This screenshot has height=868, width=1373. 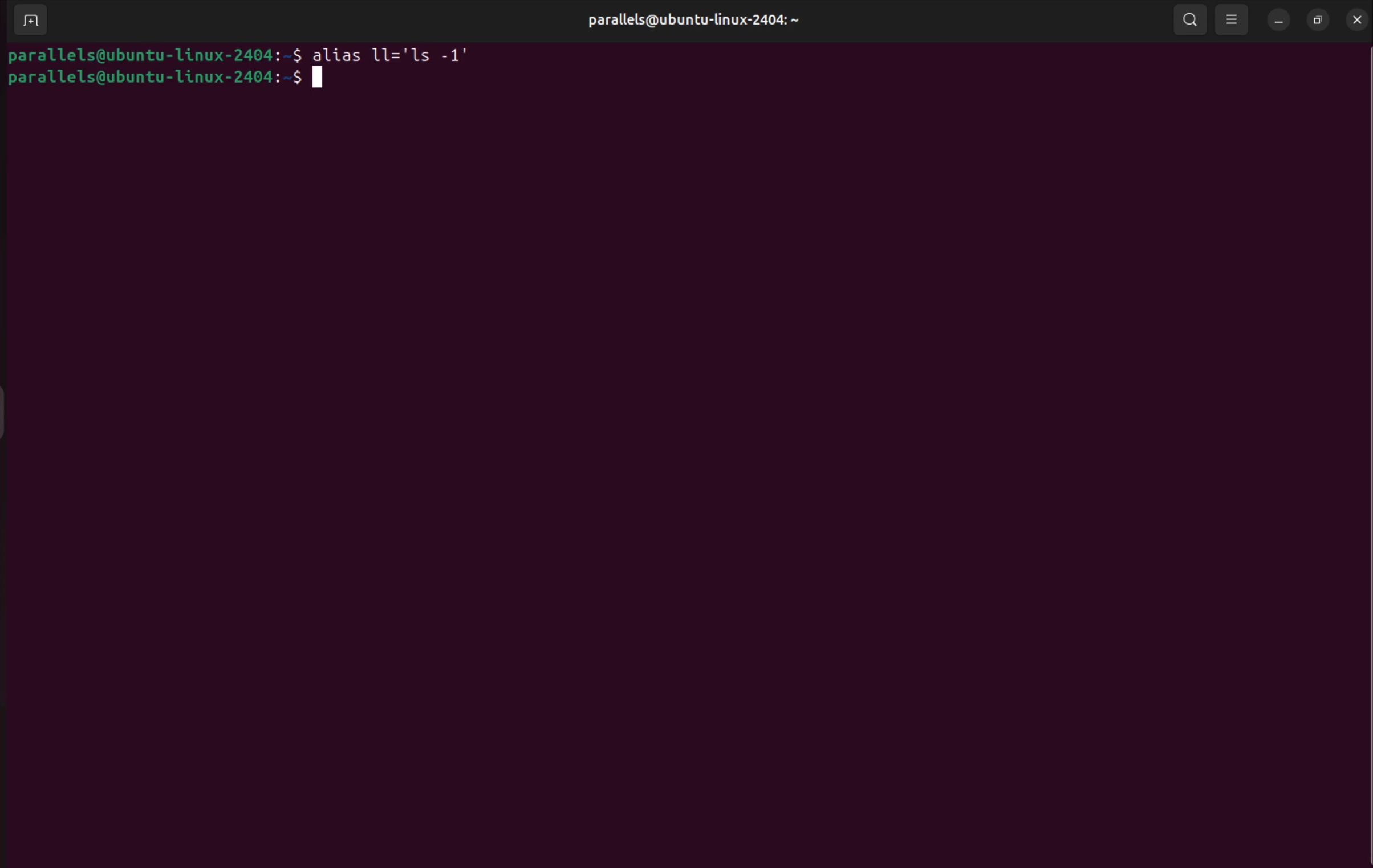 I want to click on minimize, so click(x=1279, y=22).